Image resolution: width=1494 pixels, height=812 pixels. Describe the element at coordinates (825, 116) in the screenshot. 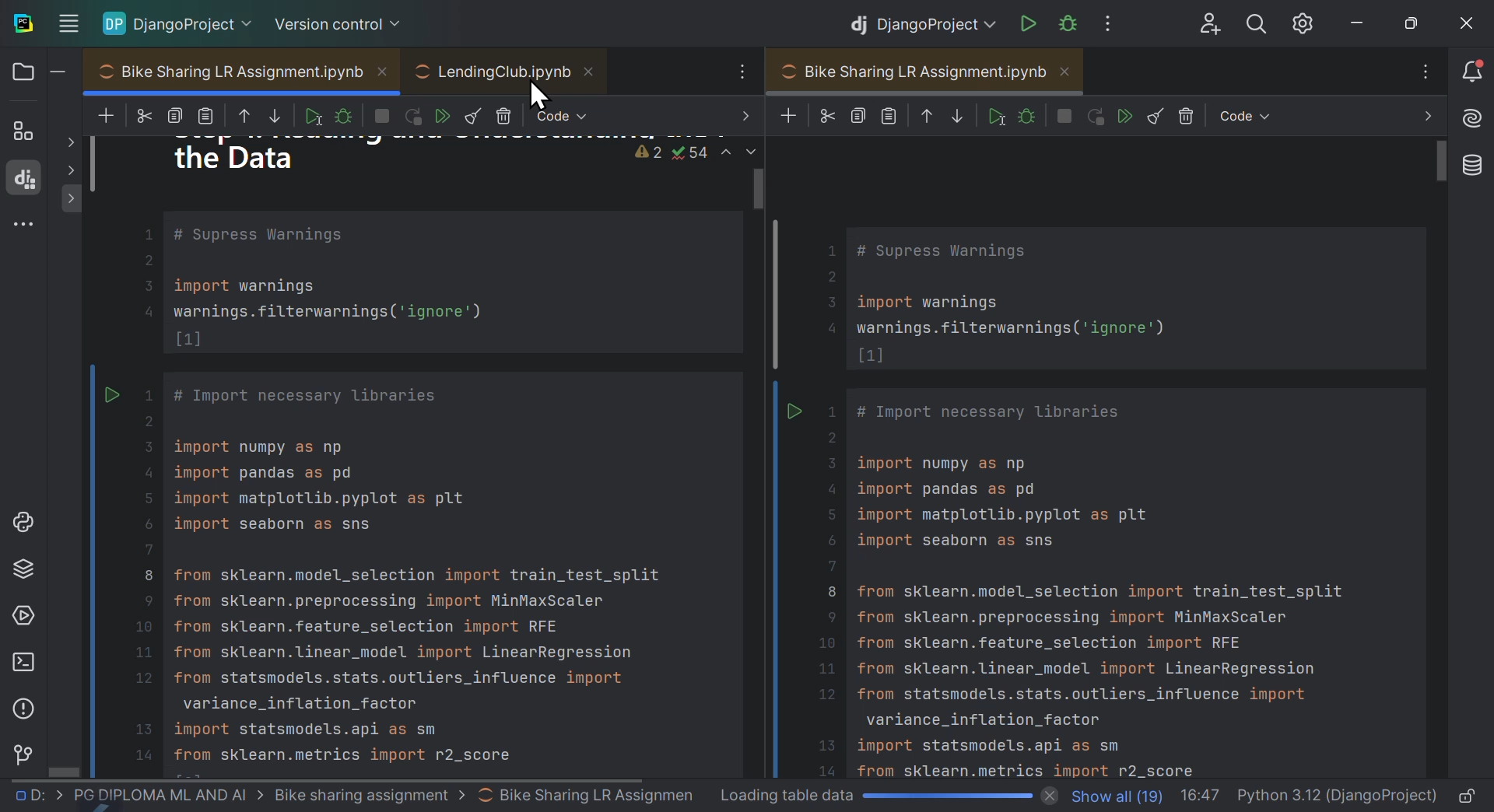

I see `cut cell` at that location.